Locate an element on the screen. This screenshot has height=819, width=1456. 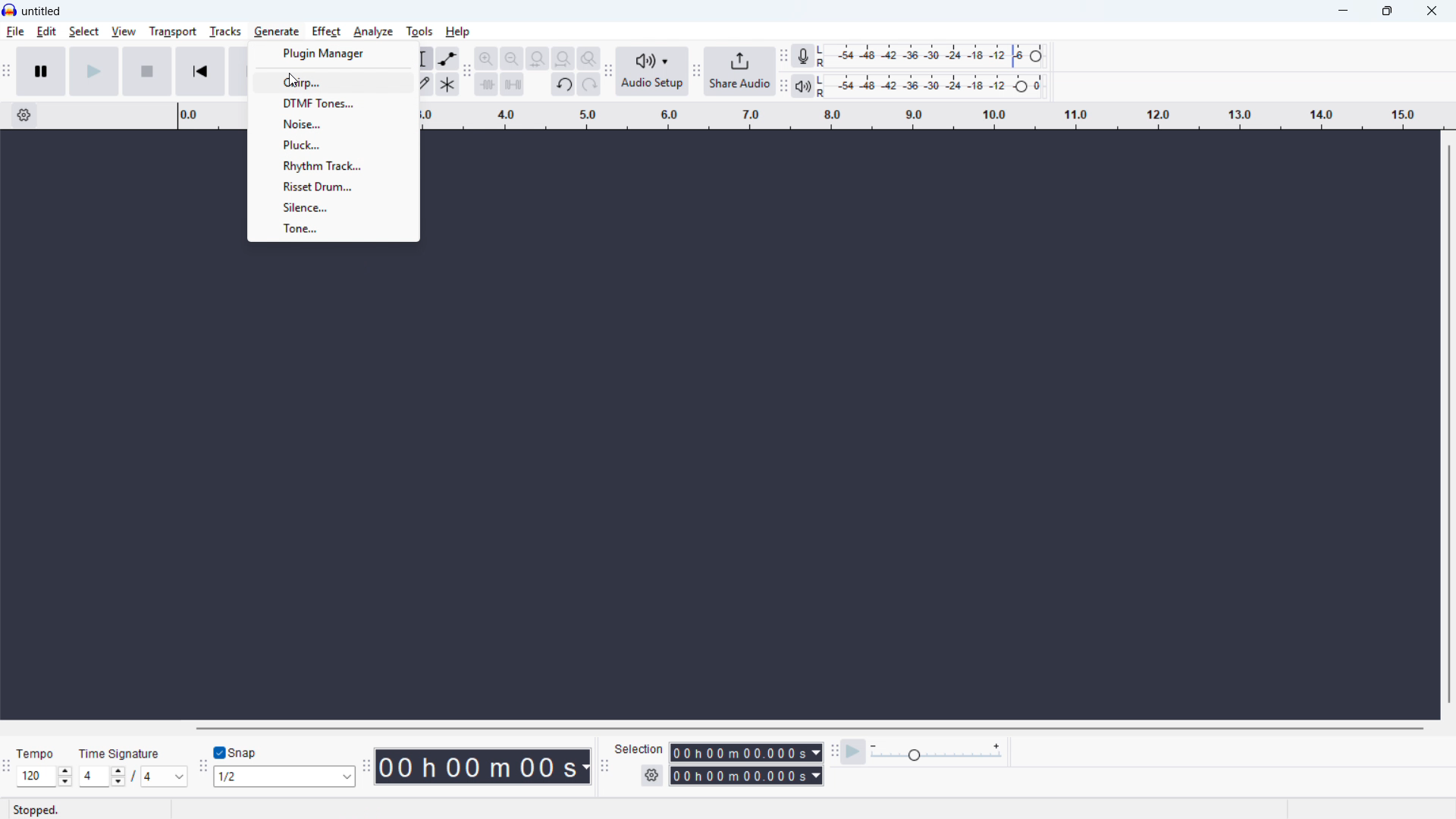
Recording metre toolbar is located at coordinates (783, 55).